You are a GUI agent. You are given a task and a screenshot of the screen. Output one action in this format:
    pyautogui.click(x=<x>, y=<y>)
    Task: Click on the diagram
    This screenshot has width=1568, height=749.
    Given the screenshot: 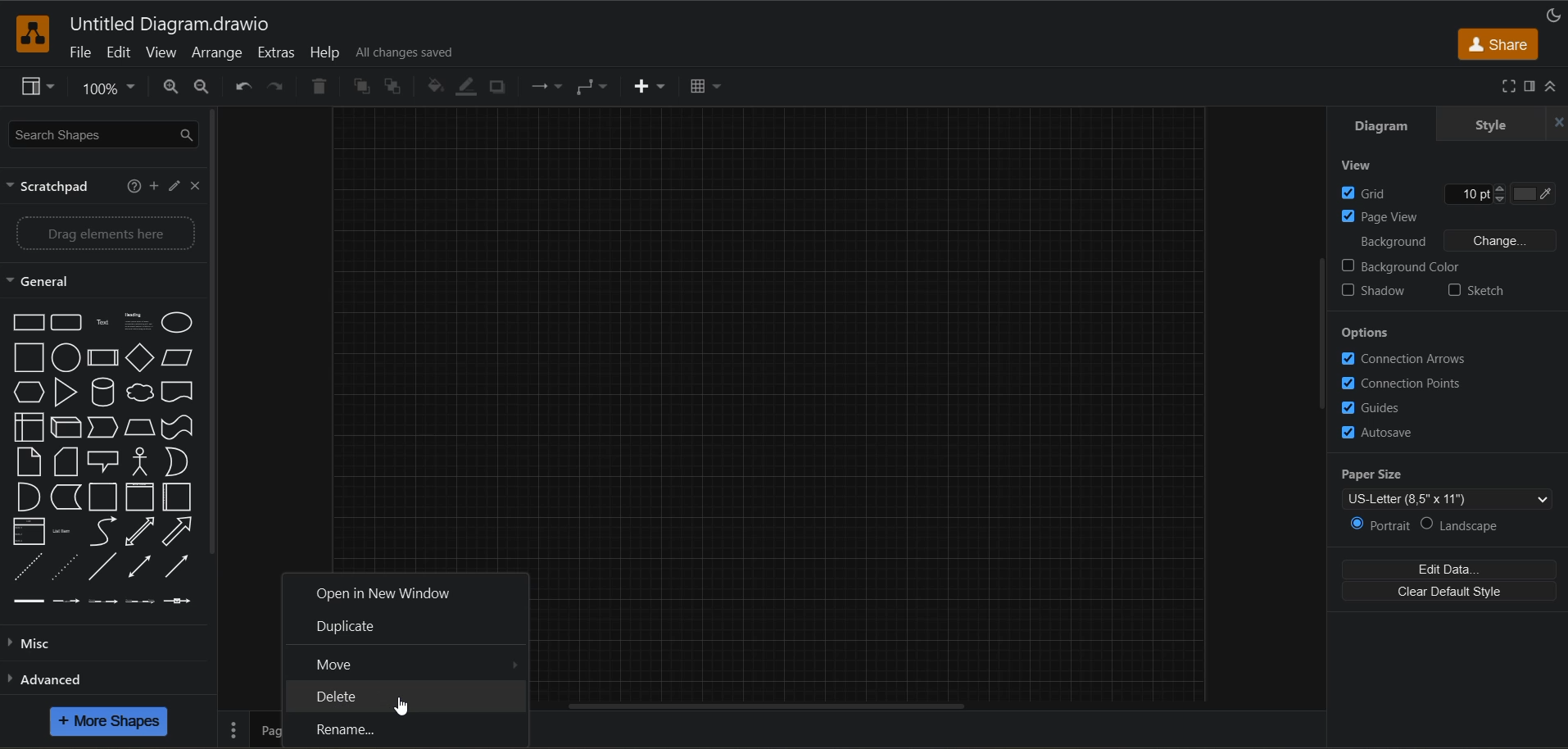 What is the action you would take?
    pyautogui.click(x=1392, y=125)
    